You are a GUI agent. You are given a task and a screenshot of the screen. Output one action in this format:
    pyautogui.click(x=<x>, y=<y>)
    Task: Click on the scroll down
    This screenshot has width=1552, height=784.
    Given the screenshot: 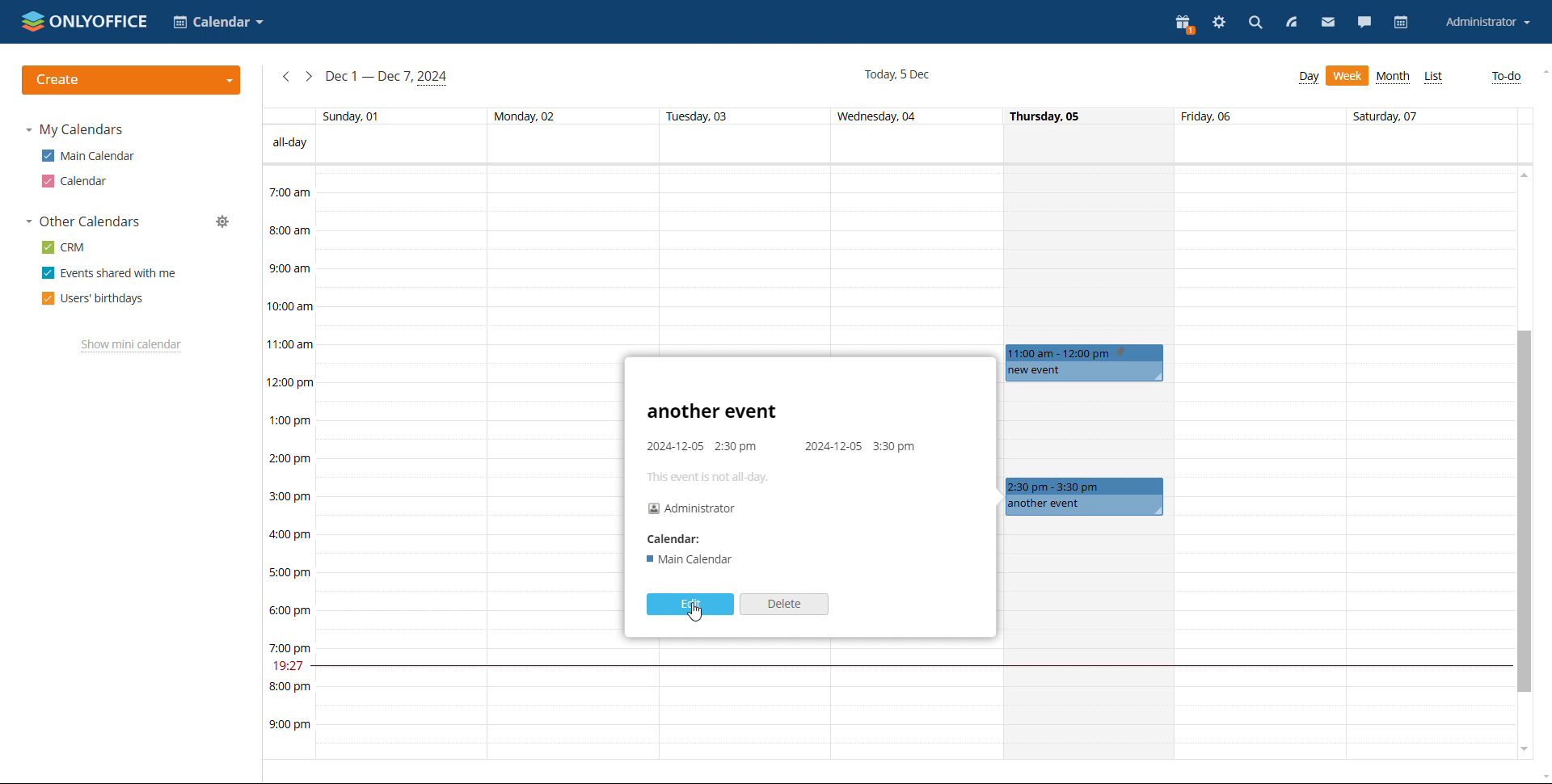 What is the action you would take?
    pyautogui.click(x=1542, y=776)
    